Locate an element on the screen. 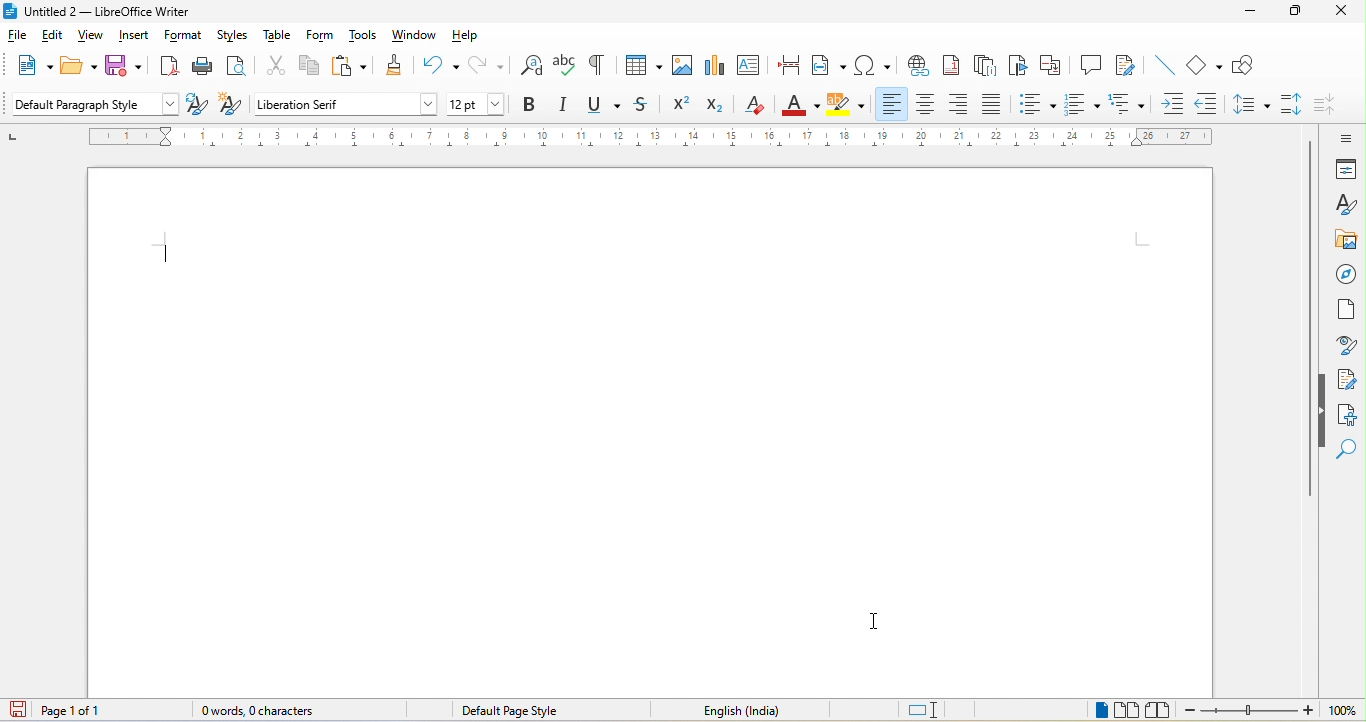 This screenshot has width=1366, height=722. image is located at coordinates (682, 67).